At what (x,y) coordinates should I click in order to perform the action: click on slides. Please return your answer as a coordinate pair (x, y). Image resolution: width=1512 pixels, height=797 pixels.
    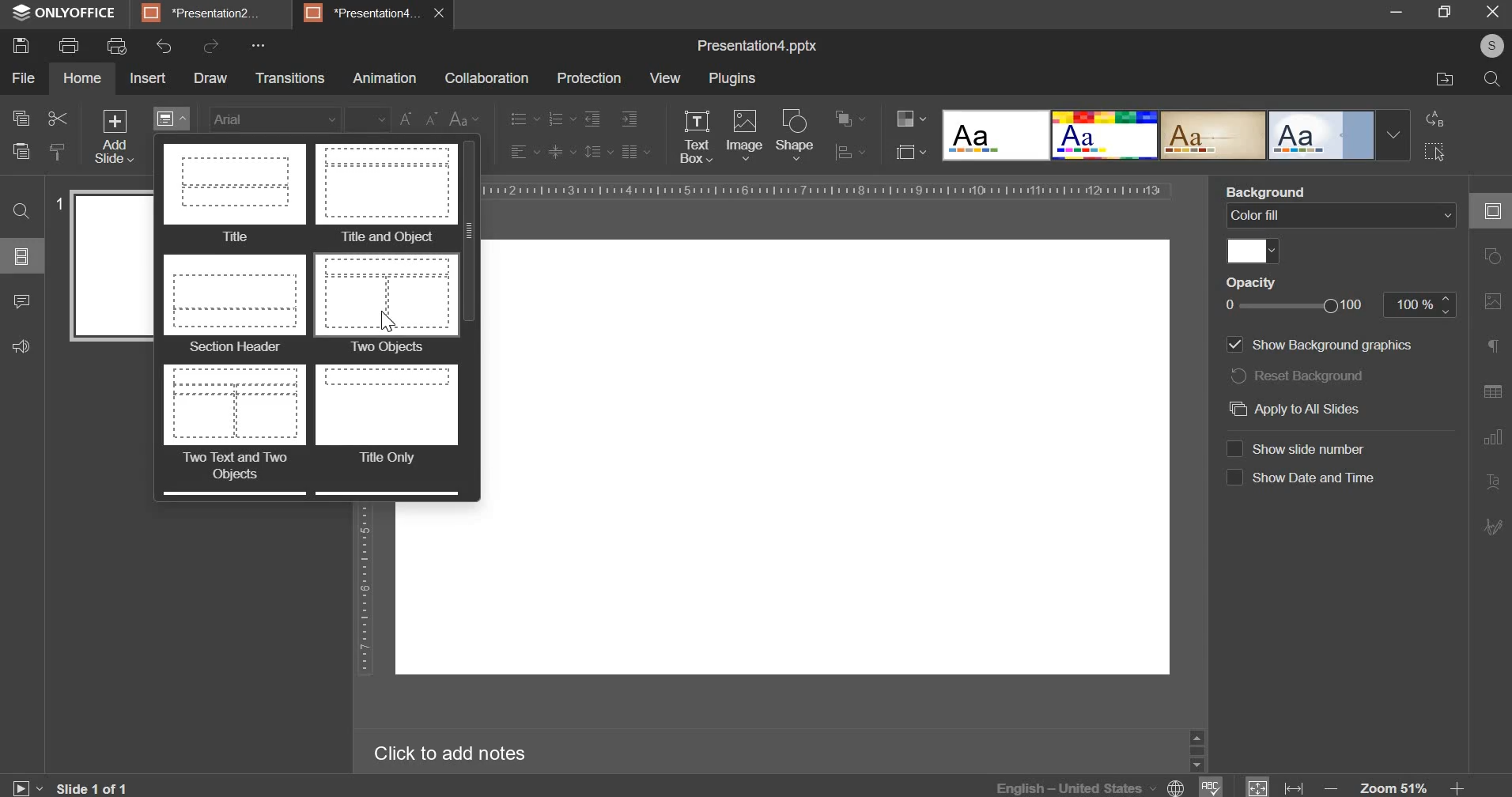
    Looking at the image, I should click on (20, 257).